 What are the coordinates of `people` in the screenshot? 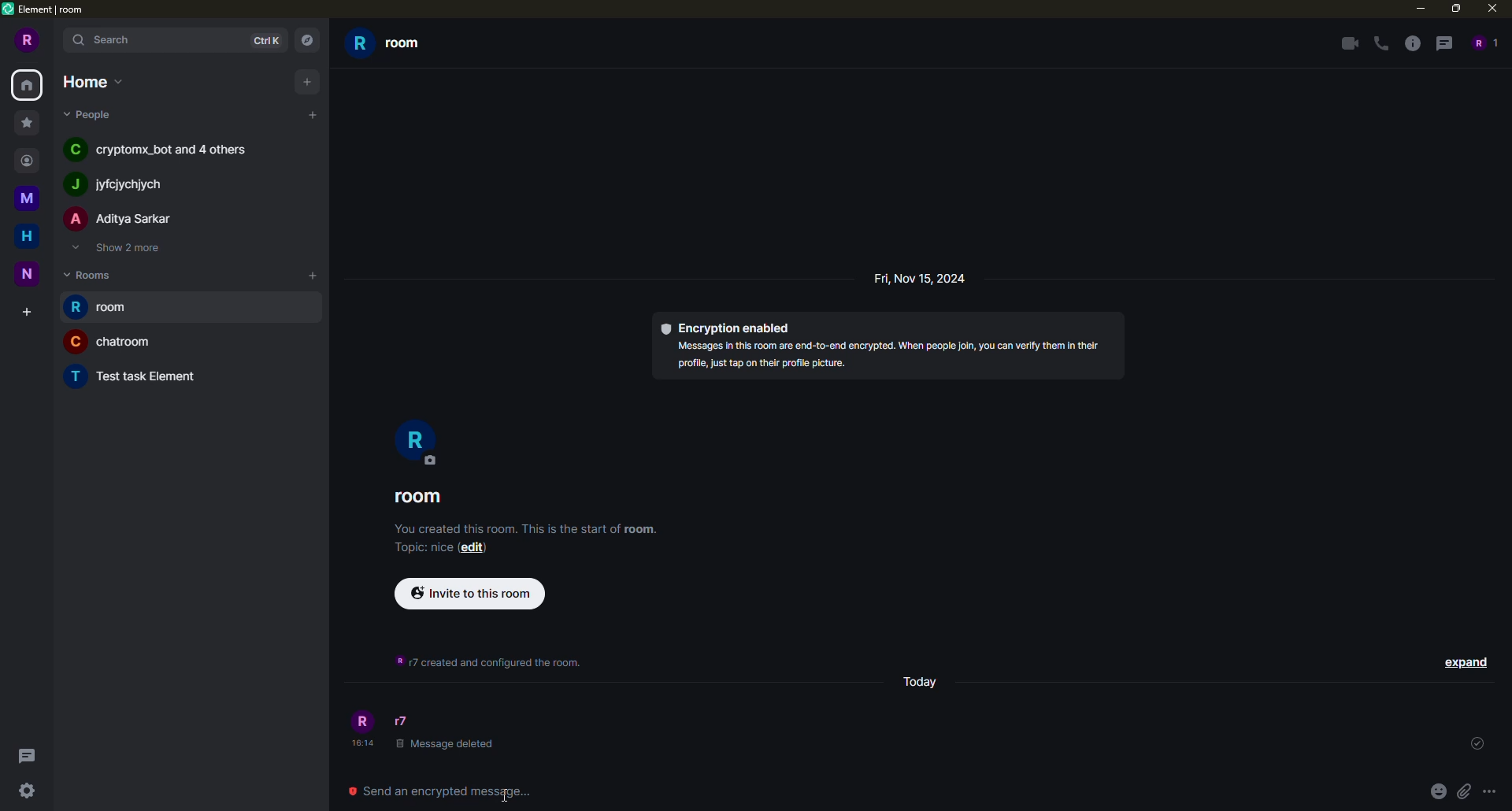 It's located at (124, 183).